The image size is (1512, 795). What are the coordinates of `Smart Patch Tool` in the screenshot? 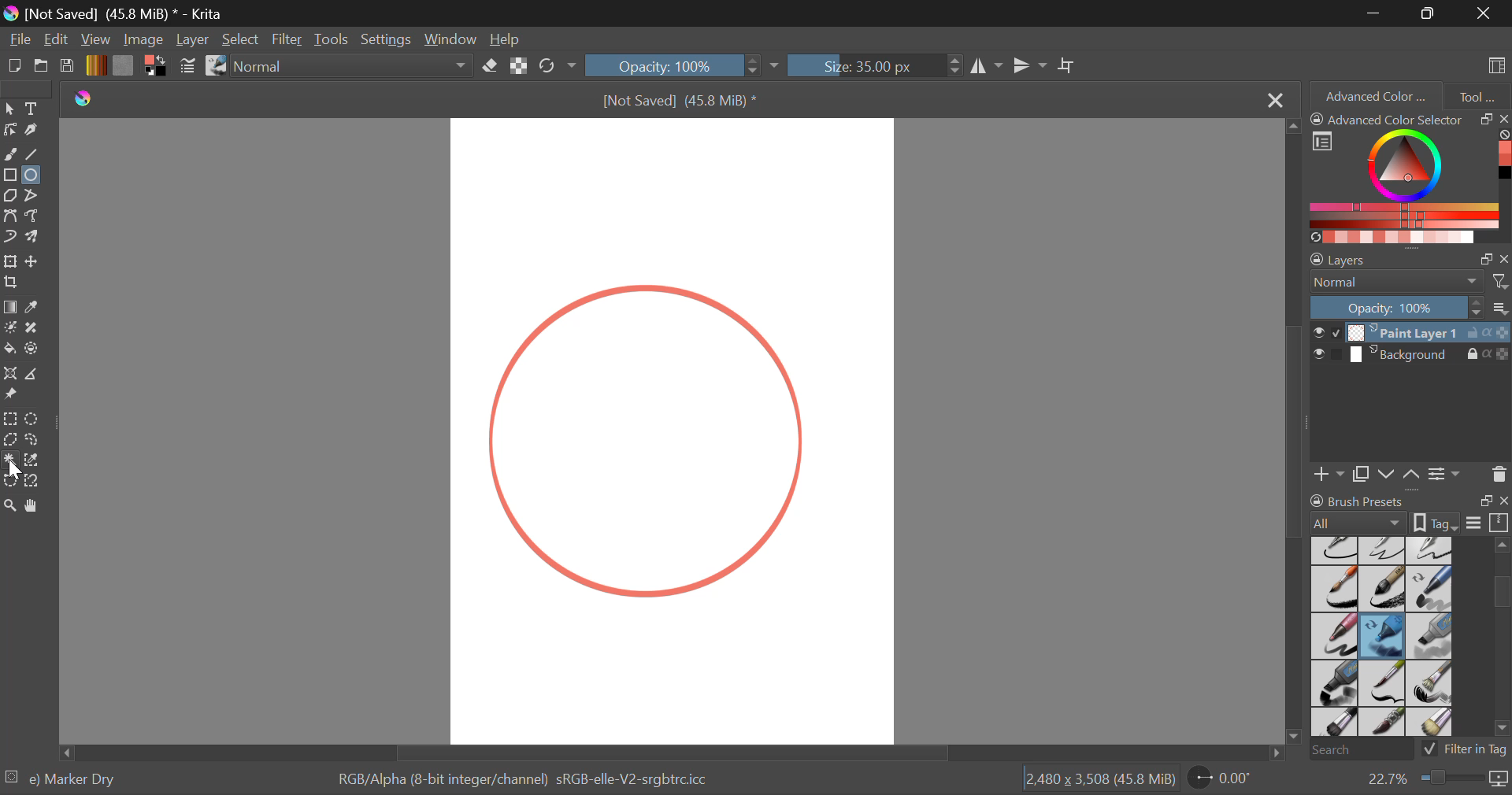 It's located at (35, 329).